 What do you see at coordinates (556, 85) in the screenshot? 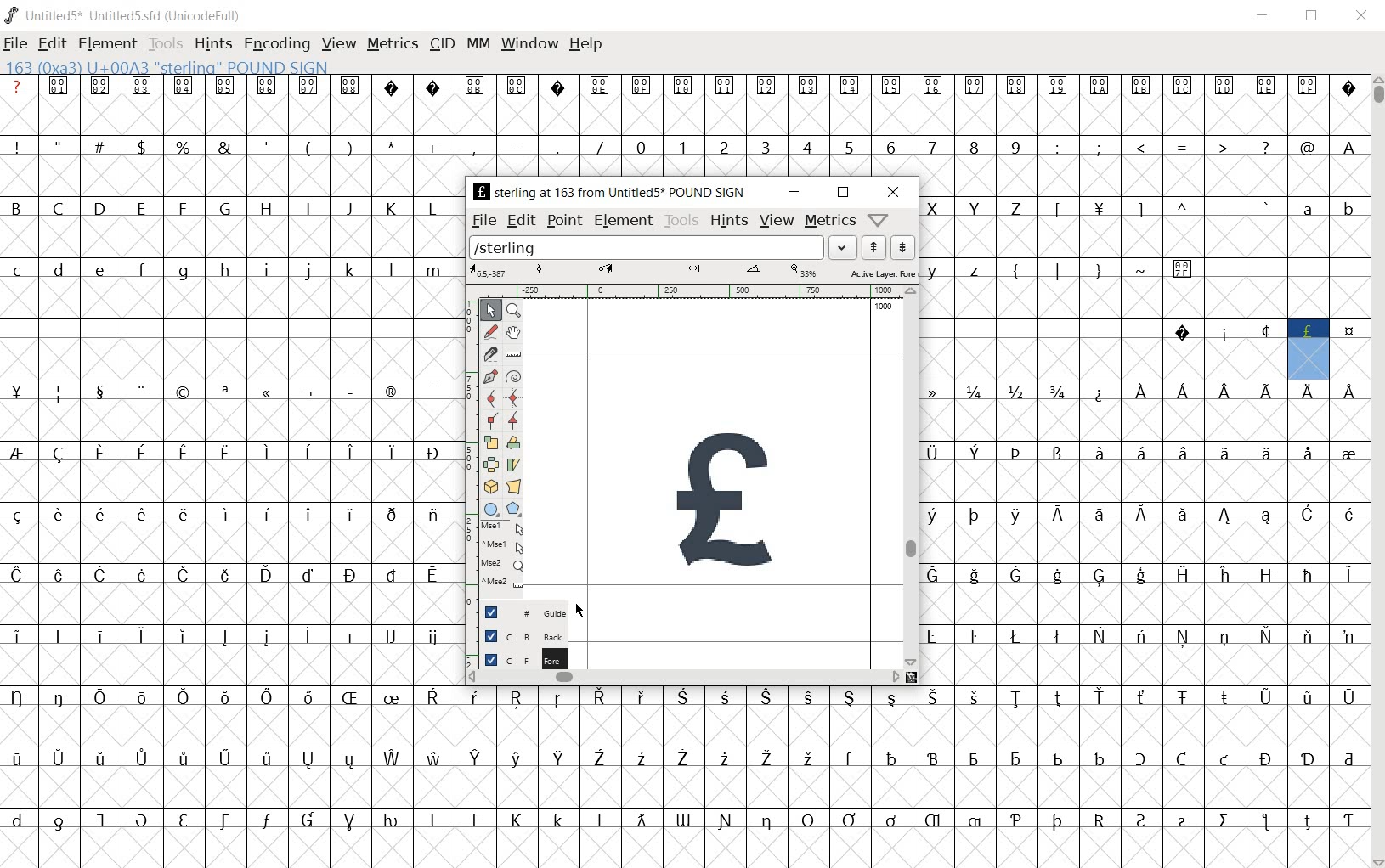
I see `Symbol` at bounding box center [556, 85].